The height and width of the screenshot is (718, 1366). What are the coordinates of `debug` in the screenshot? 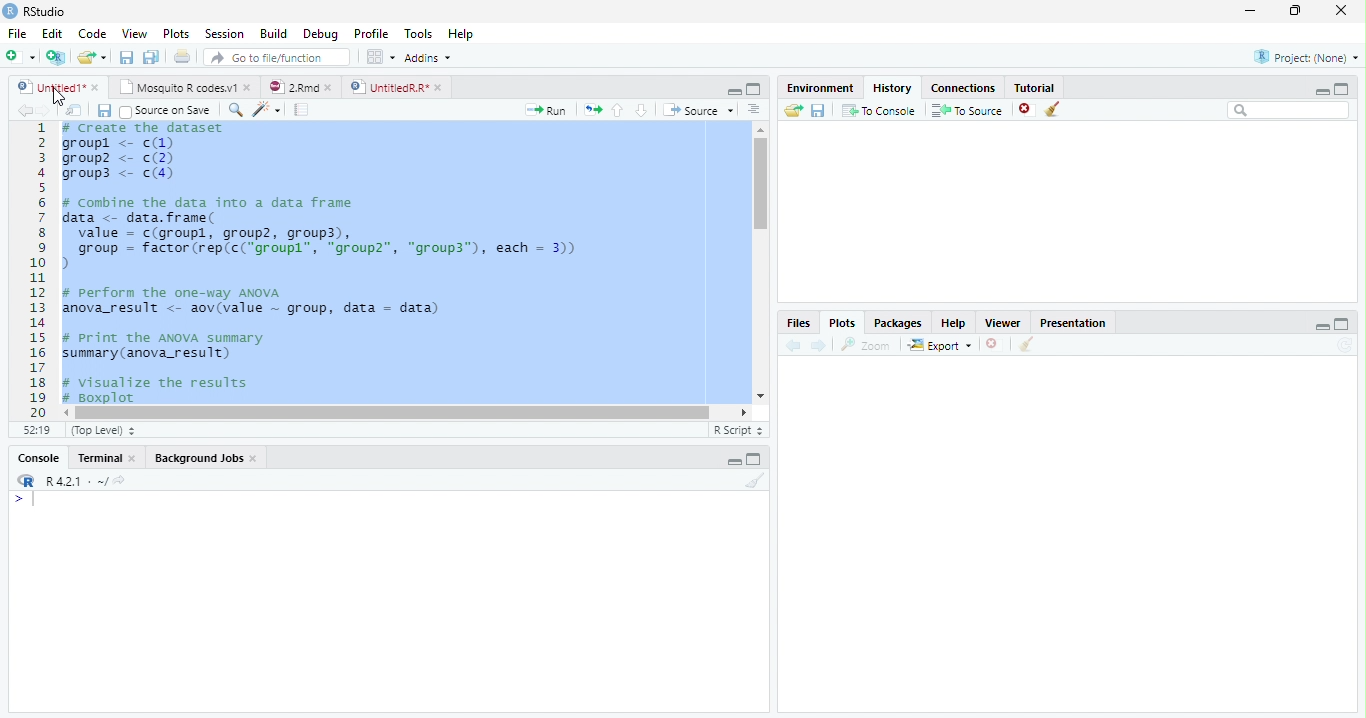 It's located at (323, 35).